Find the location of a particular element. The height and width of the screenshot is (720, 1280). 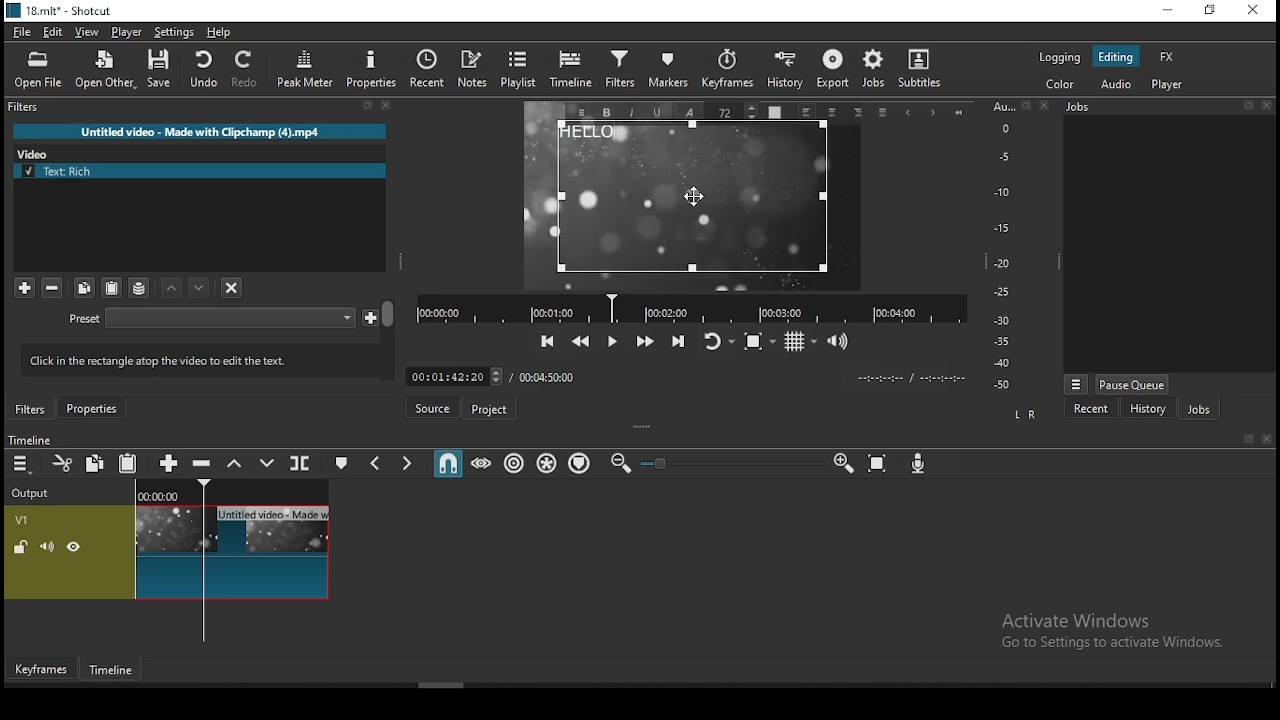

view is located at coordinates (87, 33).